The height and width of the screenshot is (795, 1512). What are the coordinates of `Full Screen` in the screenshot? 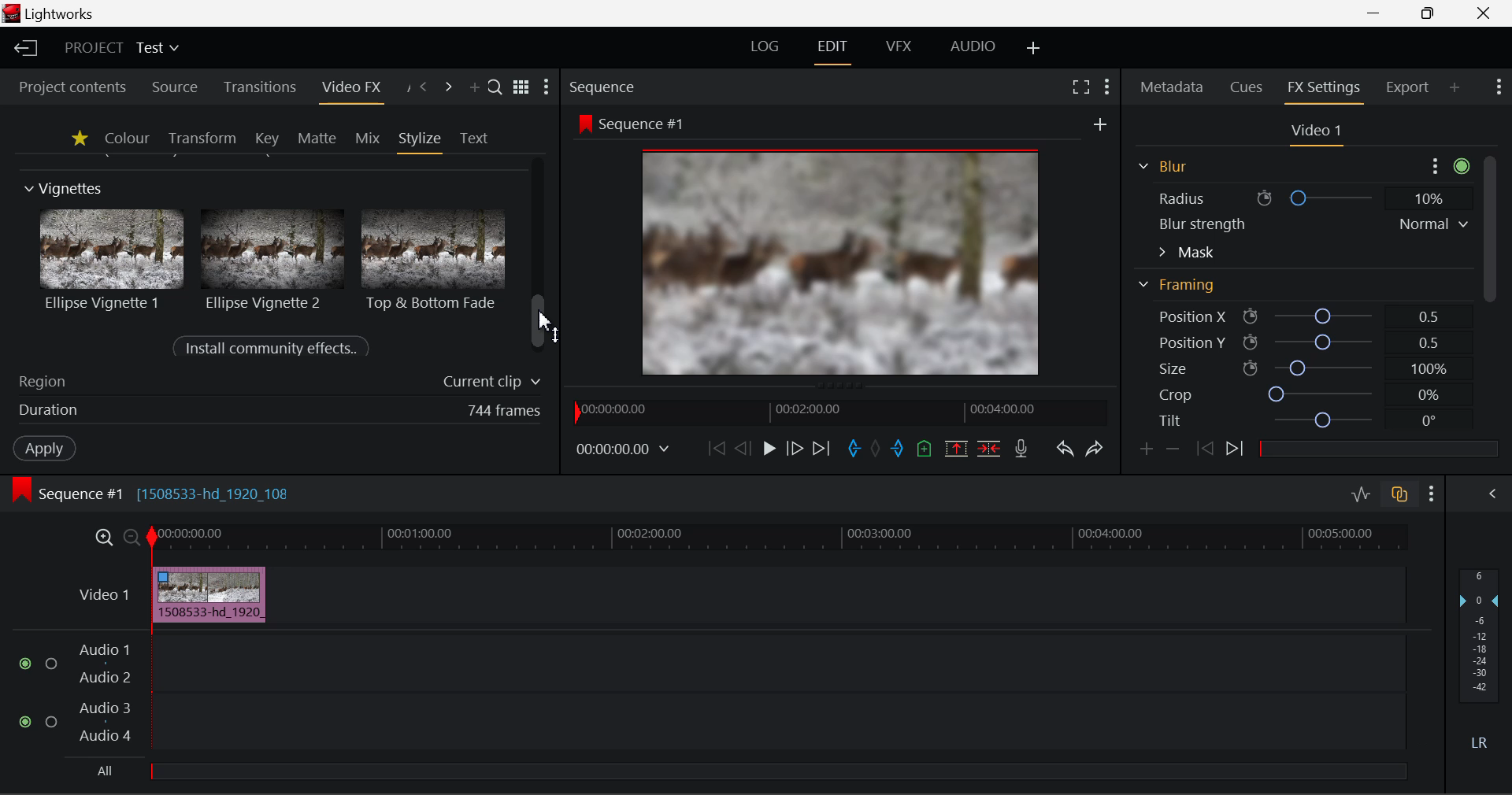 It's located at (1080, 87).